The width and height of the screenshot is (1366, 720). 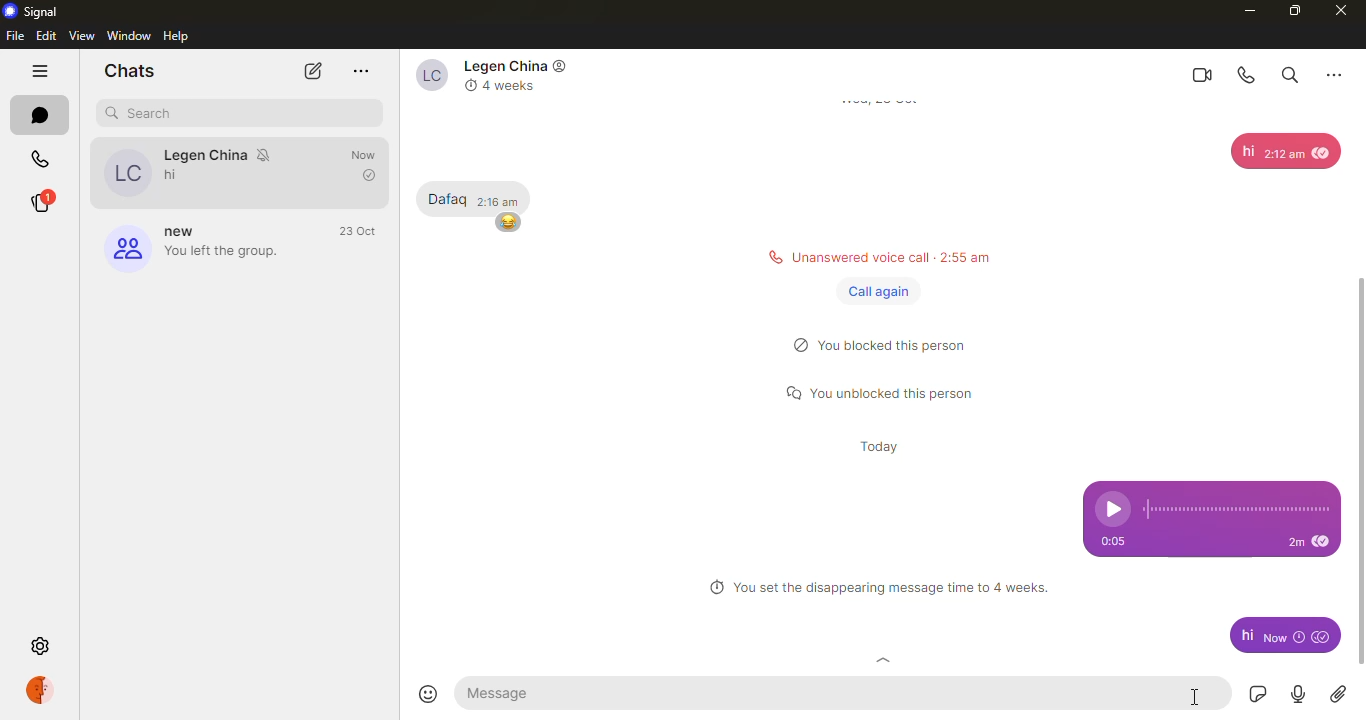 What do you see at coordinates (879, 291) in the screenshot?
I see `call again` at bounding box center [879, 291].